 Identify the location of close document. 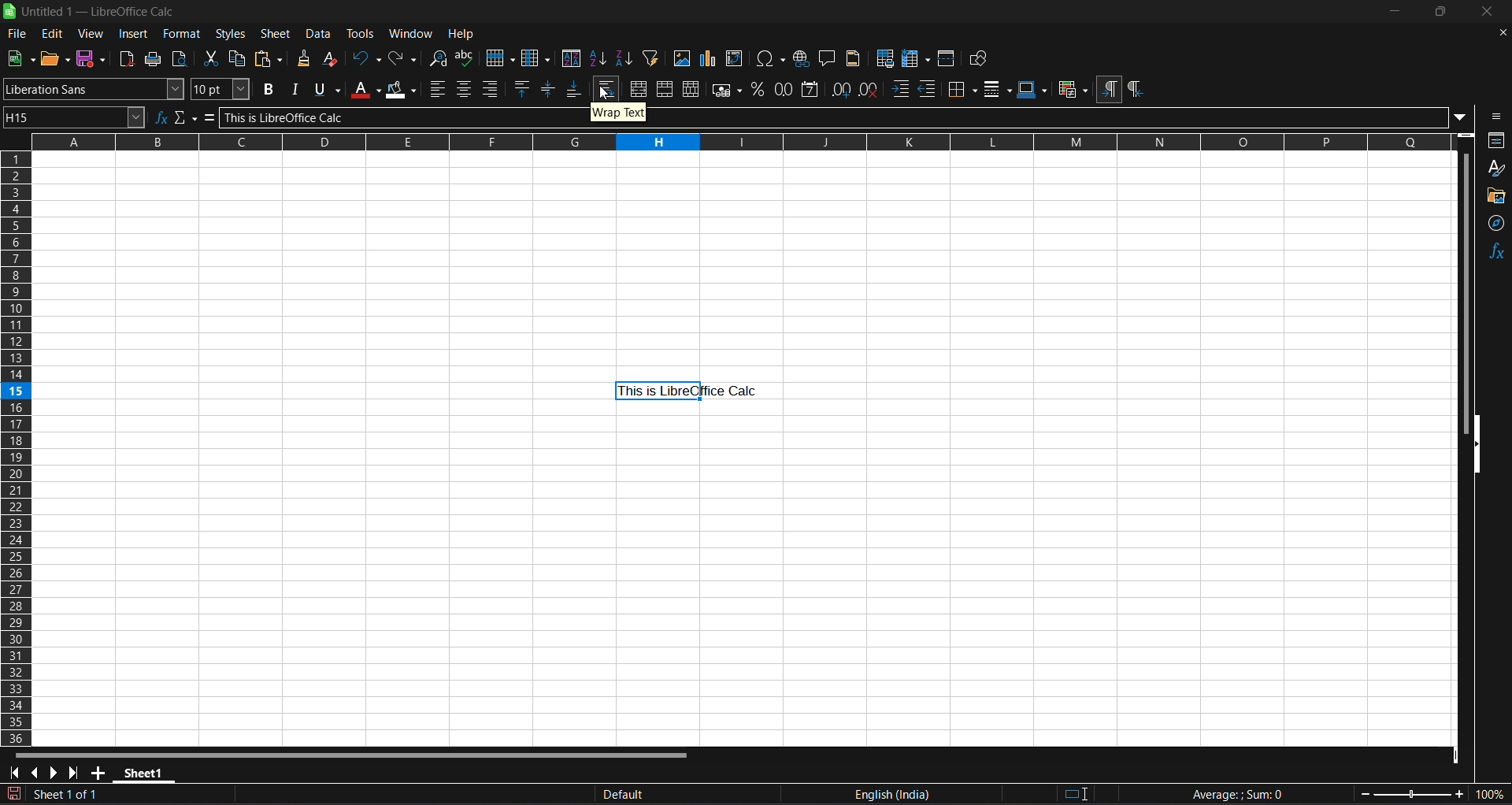
(1504, 33).